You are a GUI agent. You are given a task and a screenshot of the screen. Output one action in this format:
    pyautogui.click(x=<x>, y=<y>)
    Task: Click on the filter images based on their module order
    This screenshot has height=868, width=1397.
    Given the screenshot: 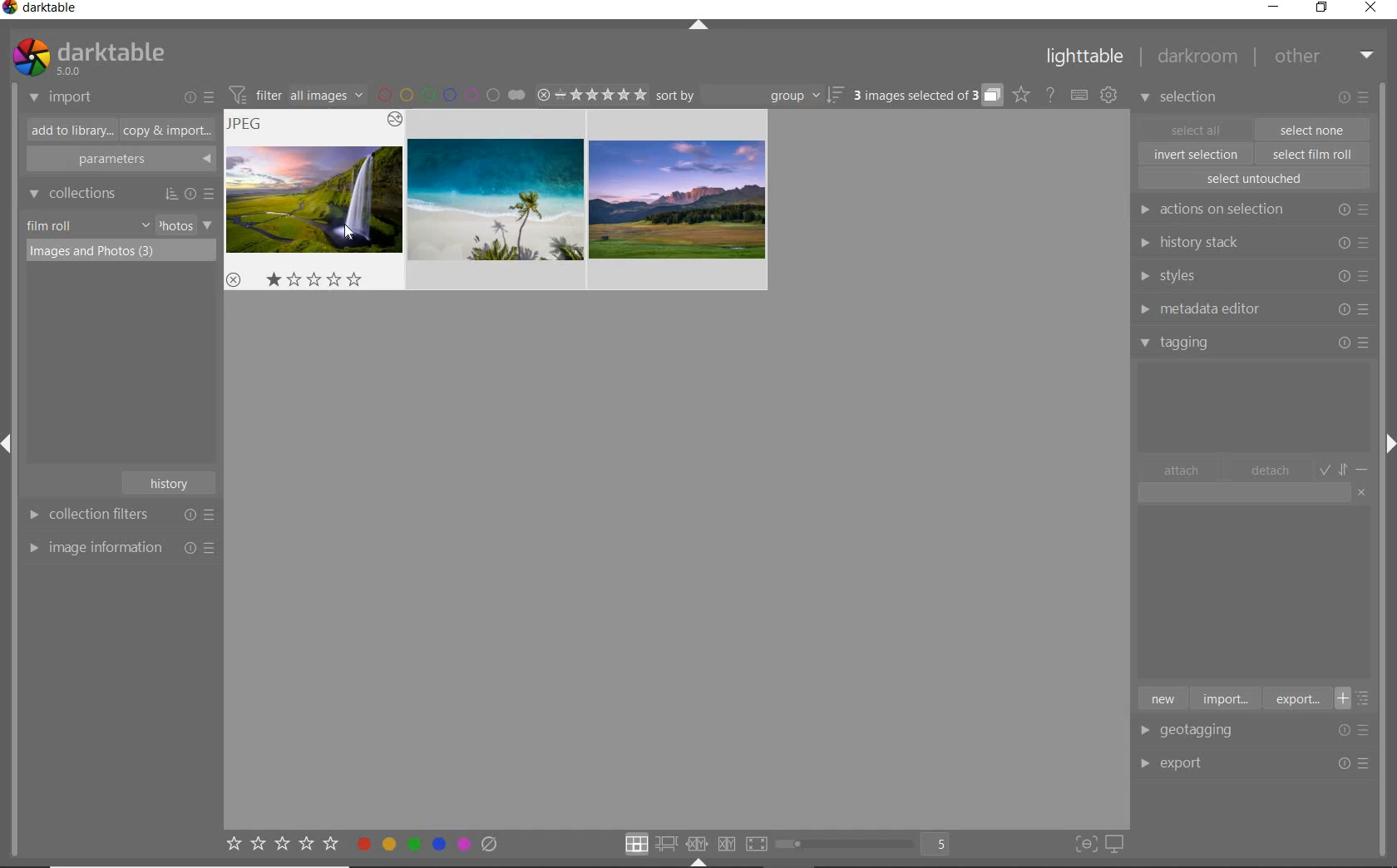 What is the action you would take?
    pyautogui.click(x=294, y=93)
    